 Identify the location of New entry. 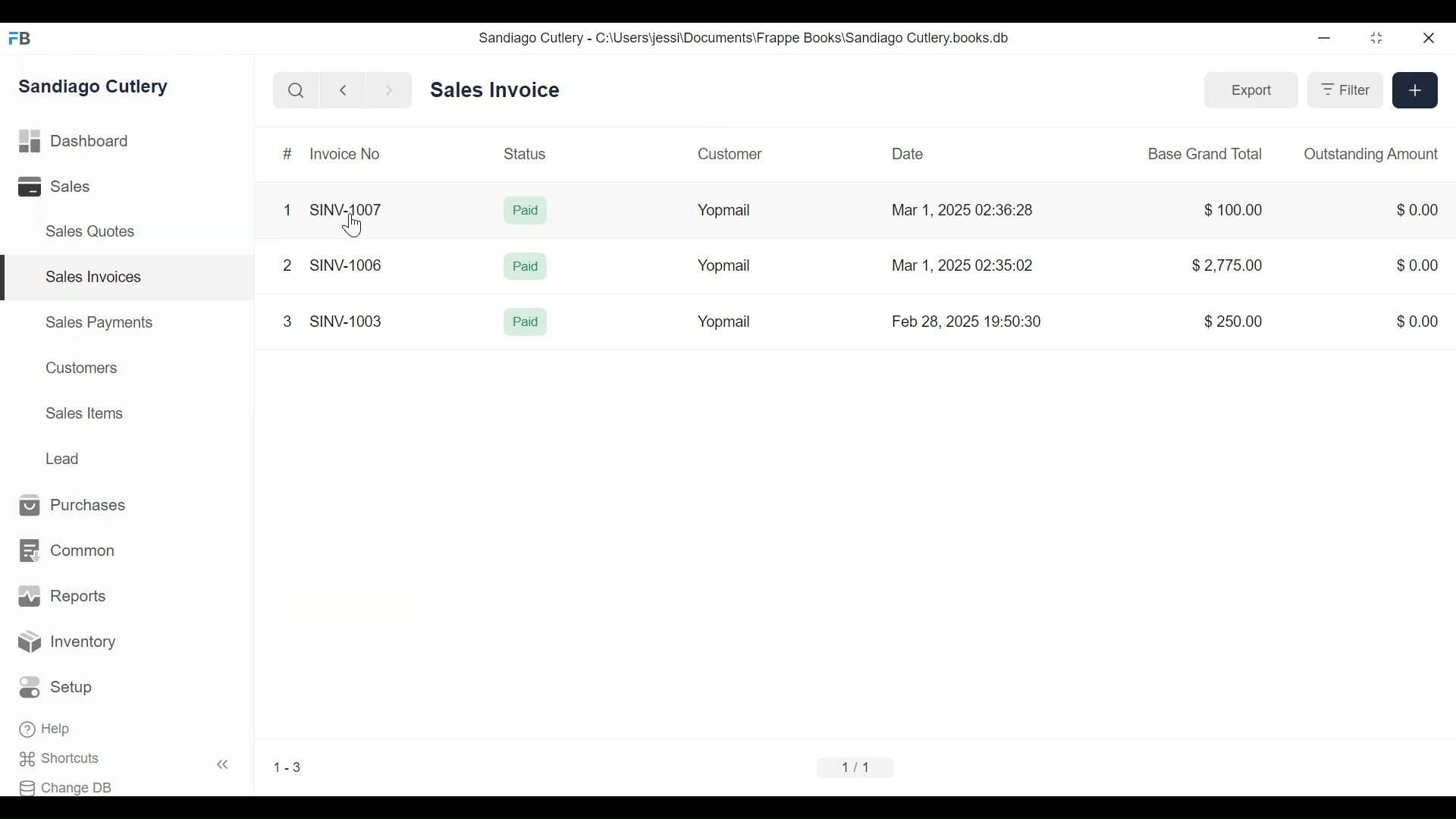
(1415, 91).